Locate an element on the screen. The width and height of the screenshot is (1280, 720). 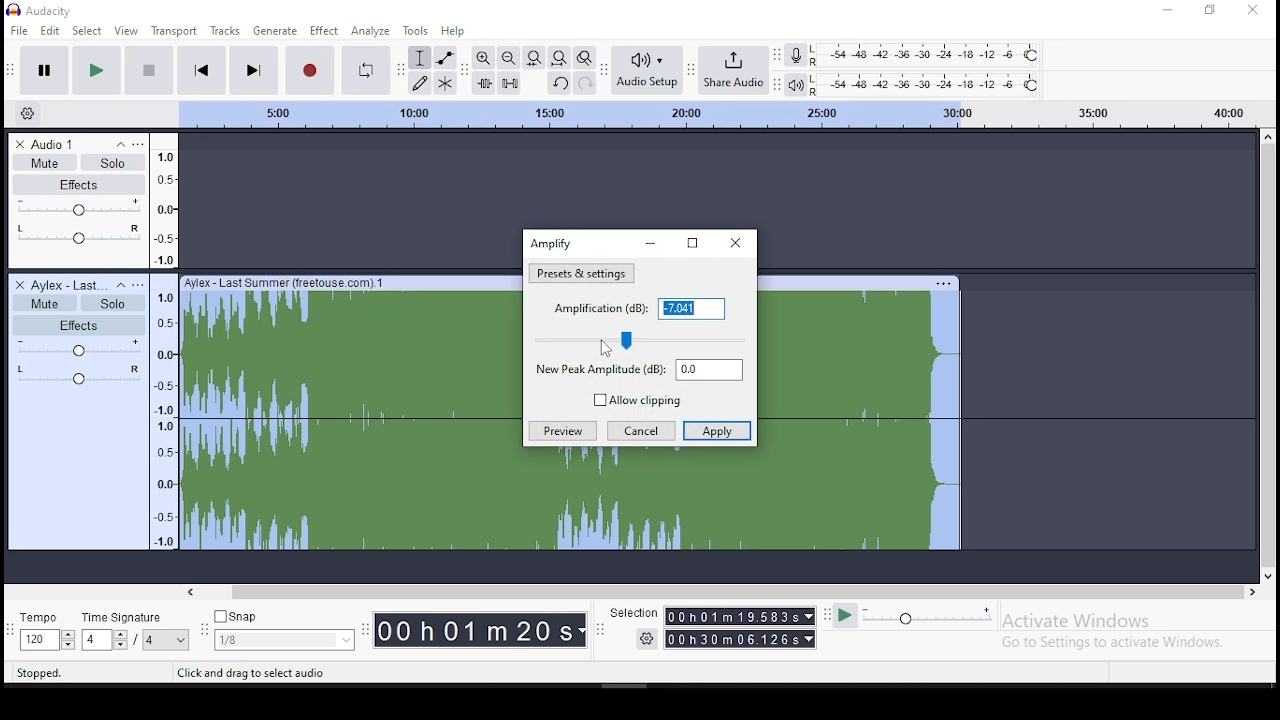
record meter is located at coordinates (795, 56).